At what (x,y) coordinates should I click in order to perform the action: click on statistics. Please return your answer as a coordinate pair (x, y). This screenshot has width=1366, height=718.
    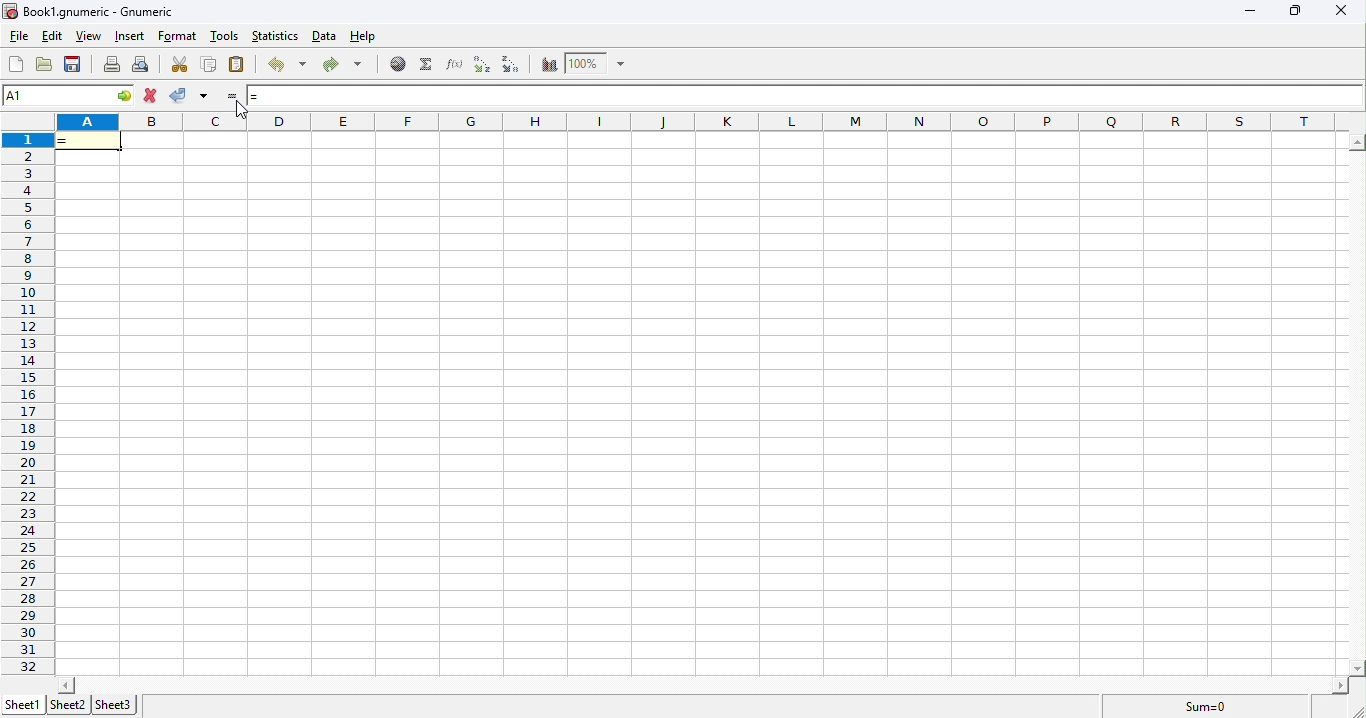
    Looking at the image, I should click on (275, 35).